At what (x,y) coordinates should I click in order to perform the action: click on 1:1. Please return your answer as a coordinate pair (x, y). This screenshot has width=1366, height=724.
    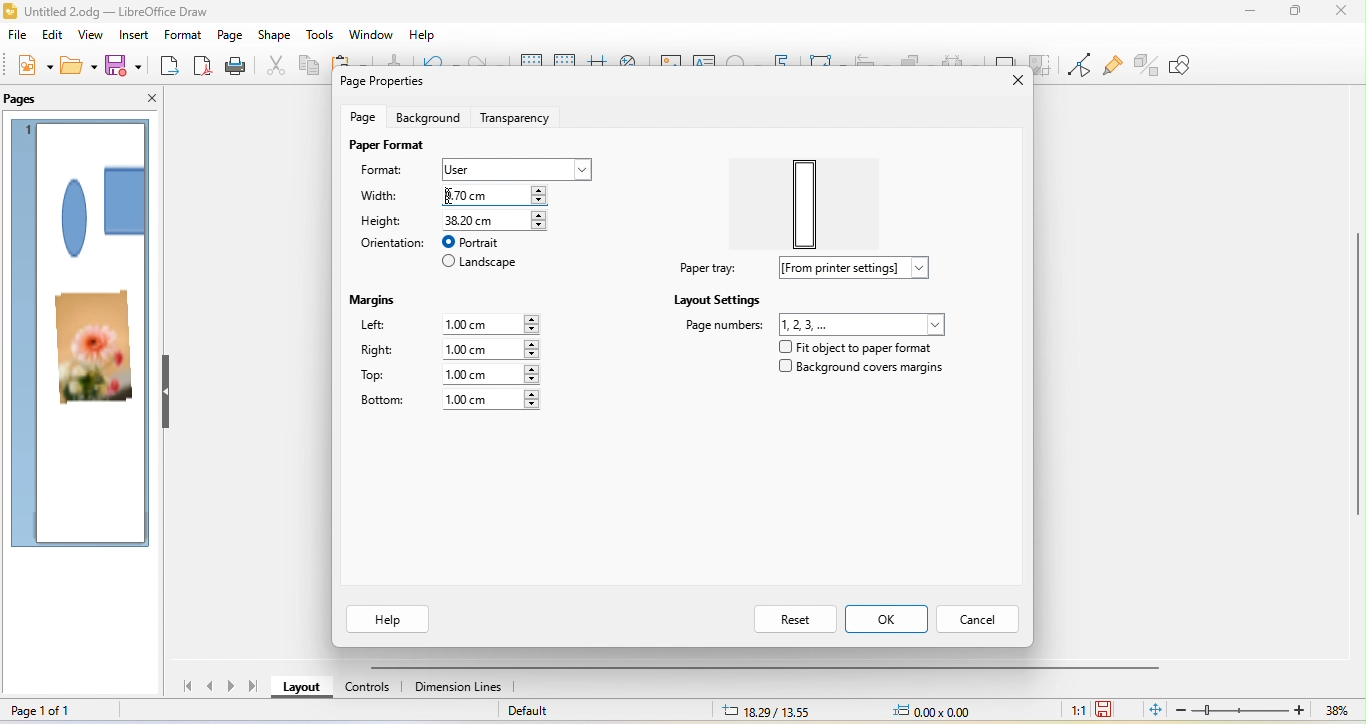
    Looking at the image, I should click on (1074, 711).